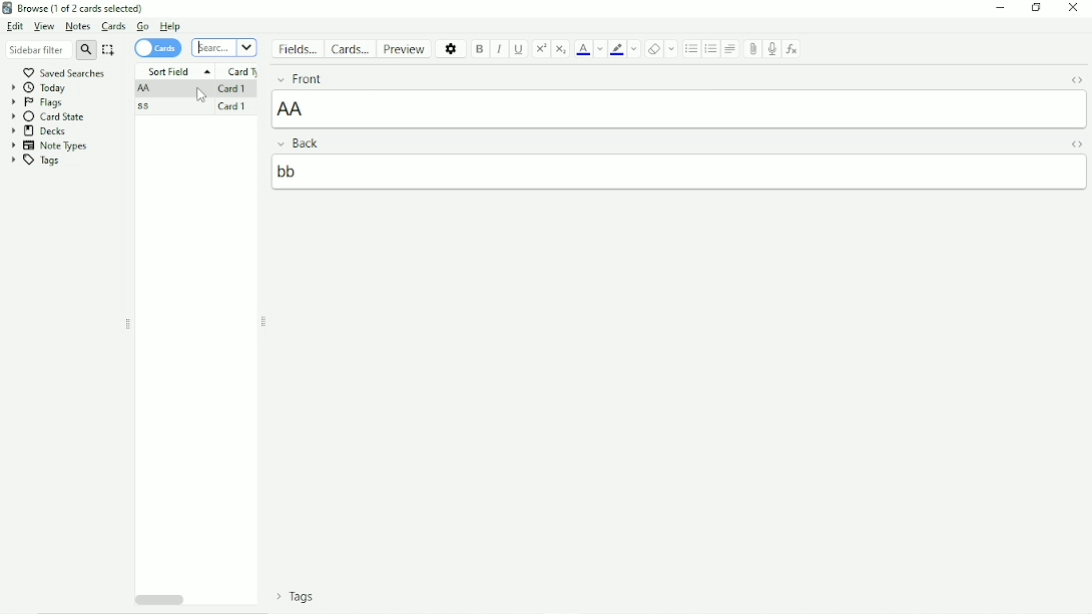 This screenshot has width=1092, height=614. Describe the element at coordinates (481, 49) in the screenshot. I see `Bold` at that location.